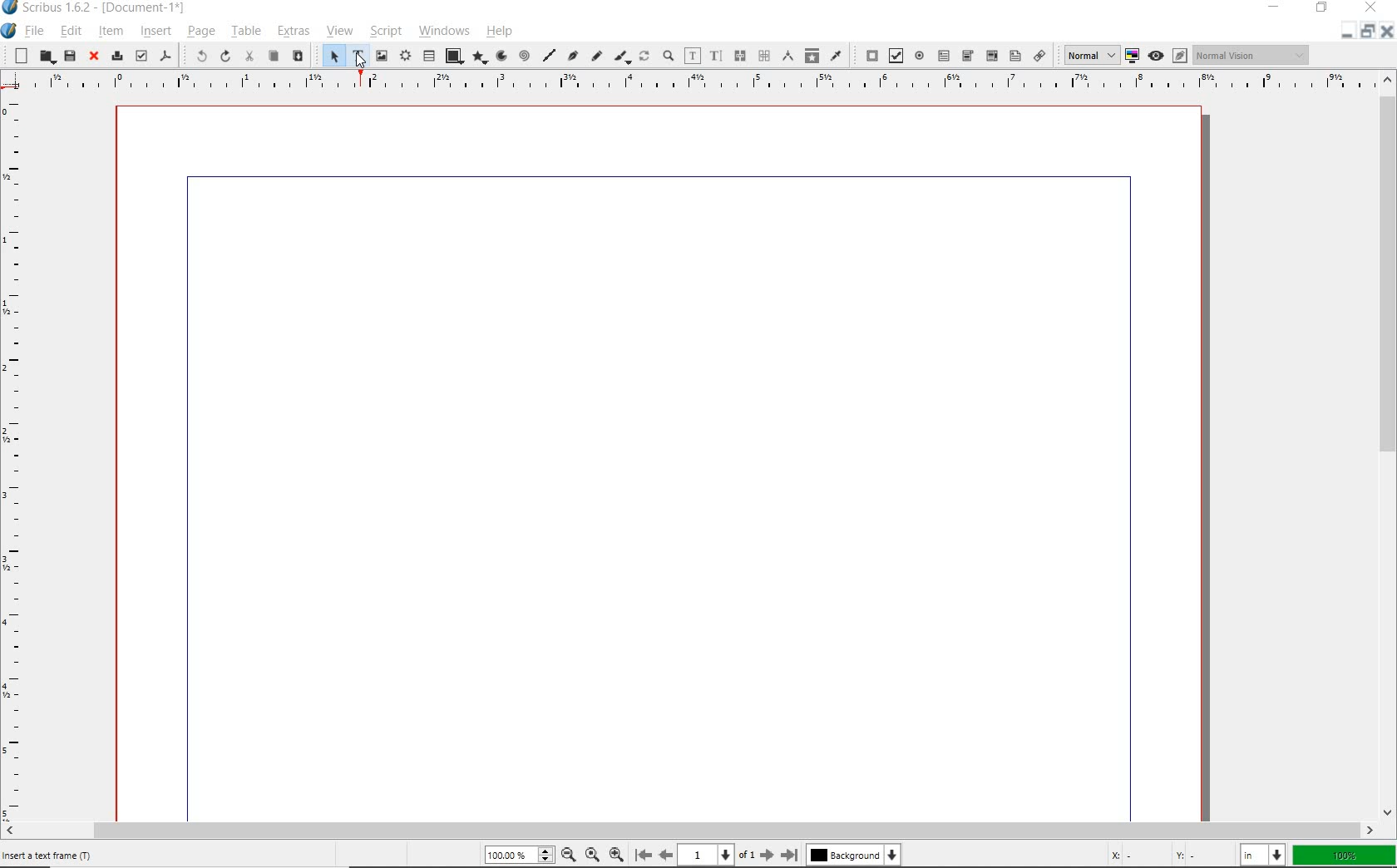 The width and height of the screenshot is (1397, 868). What do you see at coordinates (1253, 57) in the screenshot?
I see `Normal Vision` at bounding box center [1253, 57].